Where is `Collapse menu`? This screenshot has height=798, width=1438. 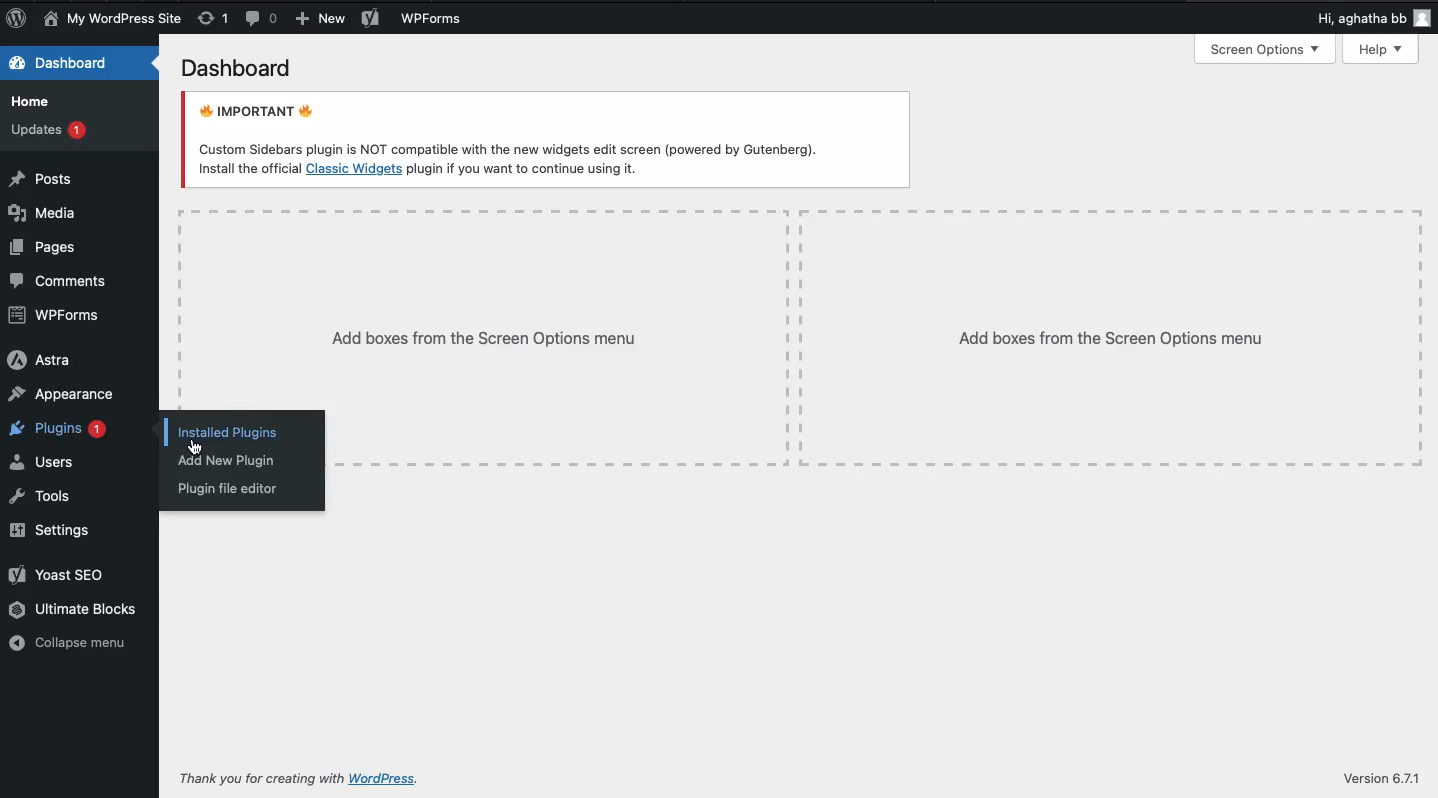 Collapse menu is located at coordinates (73, 643).